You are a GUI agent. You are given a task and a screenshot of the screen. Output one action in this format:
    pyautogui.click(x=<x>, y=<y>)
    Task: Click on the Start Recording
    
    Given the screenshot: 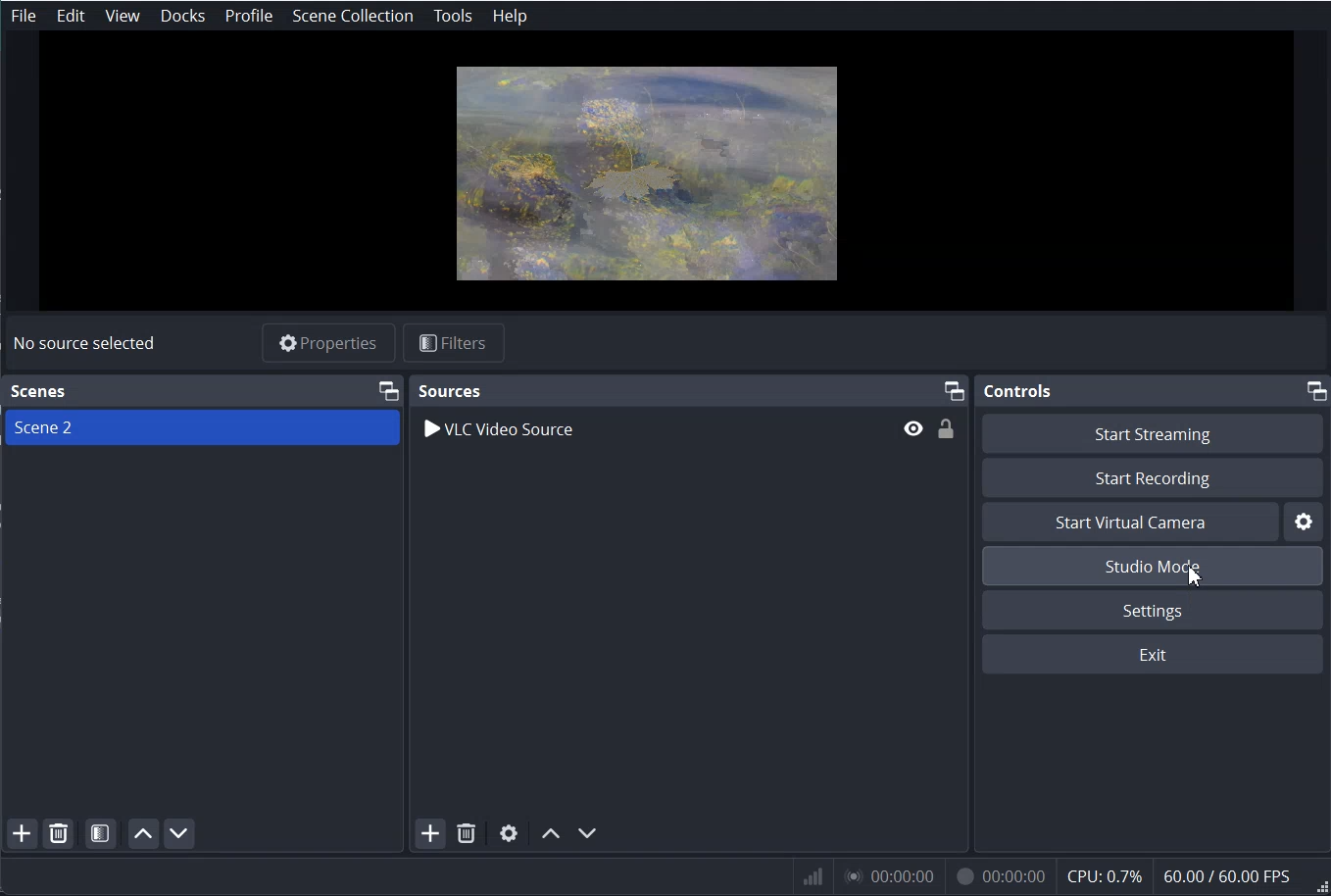 What is the action you would take?
    pyautogui.click(x=1154, y=476)
    